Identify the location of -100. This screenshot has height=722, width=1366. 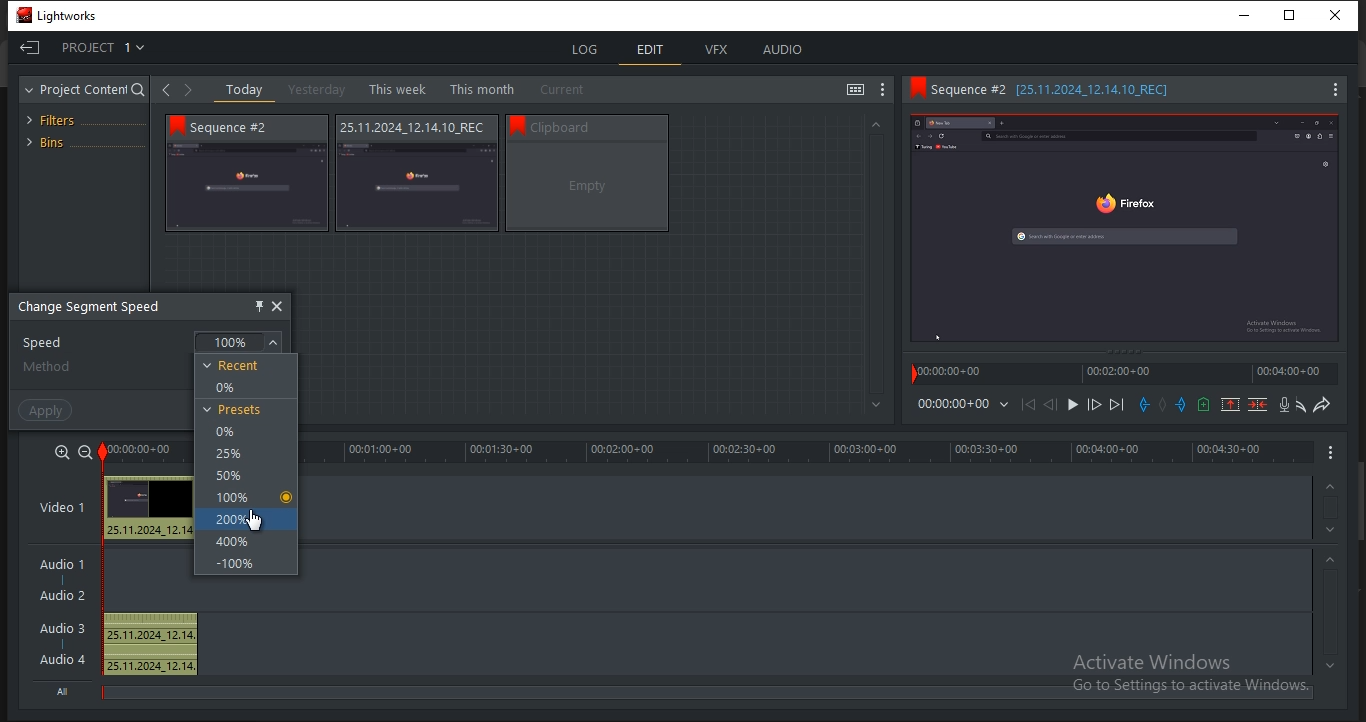
(240, 564).